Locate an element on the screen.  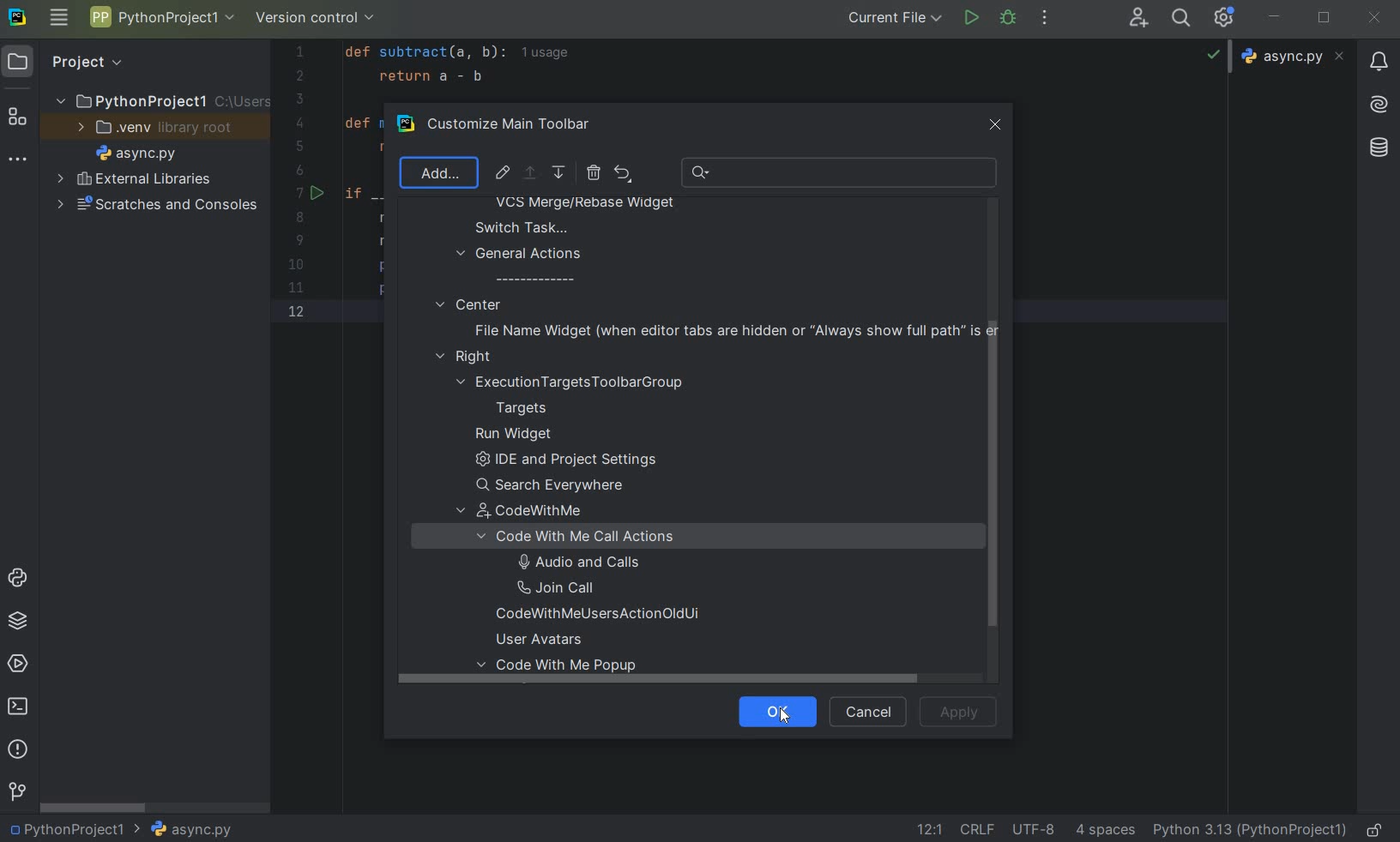
file name widget is located at coordinates (732, 330).